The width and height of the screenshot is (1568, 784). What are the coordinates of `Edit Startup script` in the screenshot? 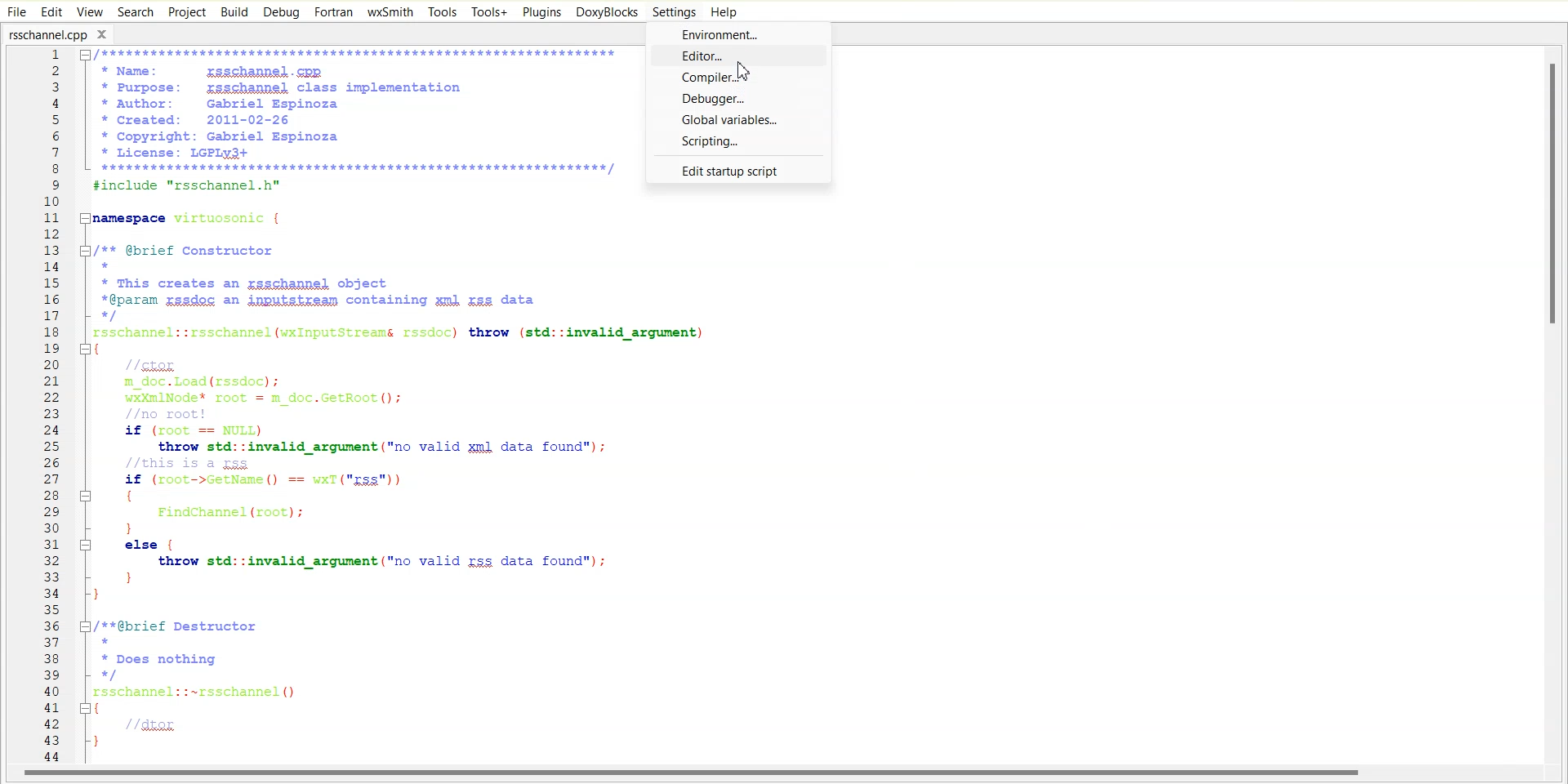 It's located at (737, 169).